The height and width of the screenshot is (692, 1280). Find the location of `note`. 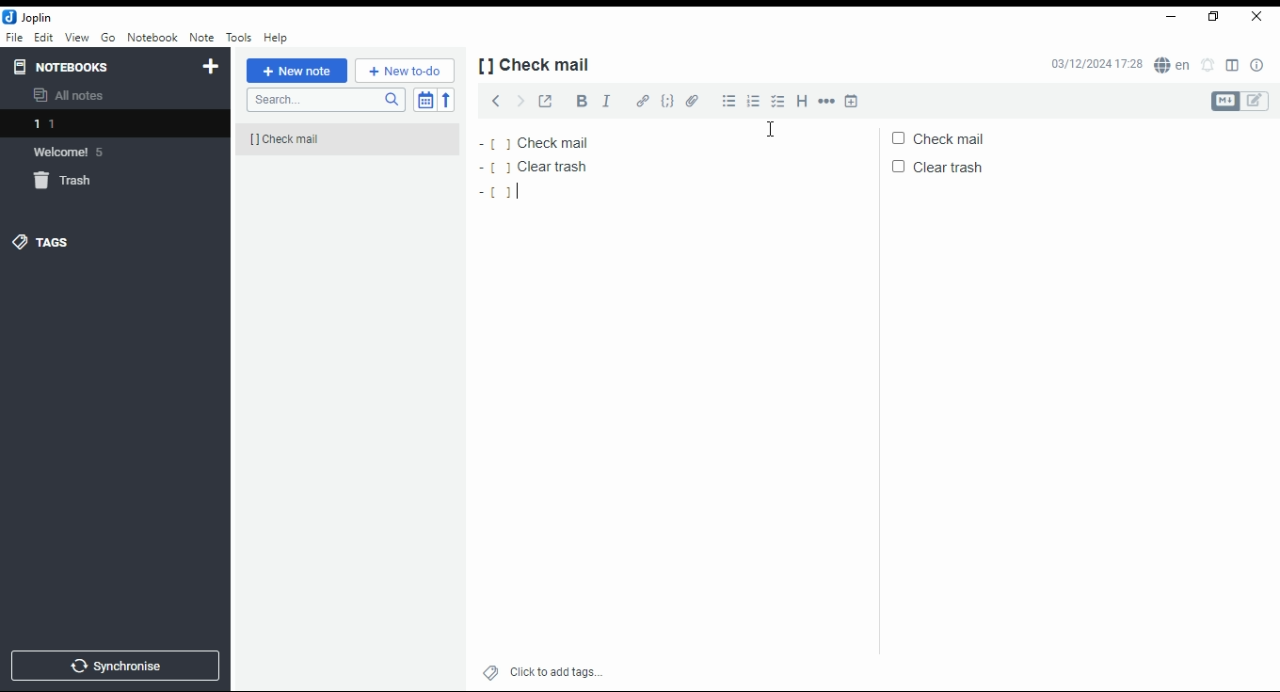

note is located at coordinates (201, 38).